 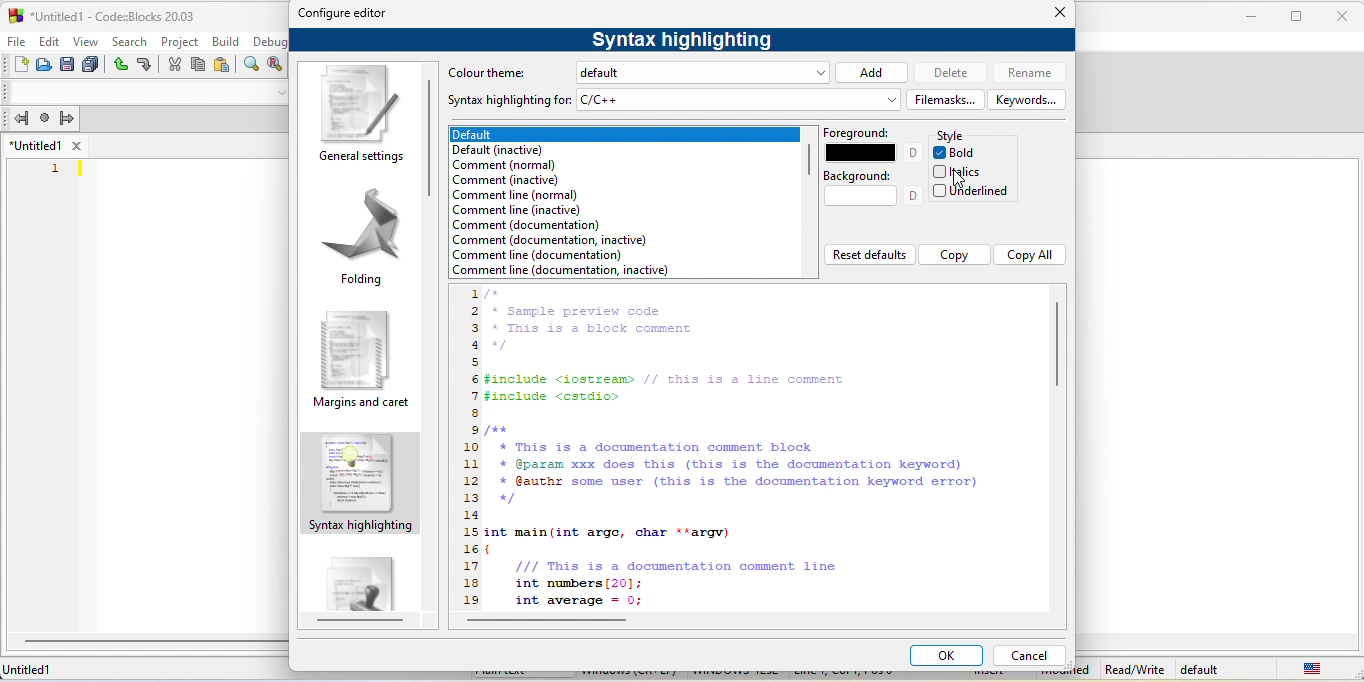 What do you see at coordinates (1313, 668) in the screenshot?
I see `united state` at bounding box center [1313, 668].